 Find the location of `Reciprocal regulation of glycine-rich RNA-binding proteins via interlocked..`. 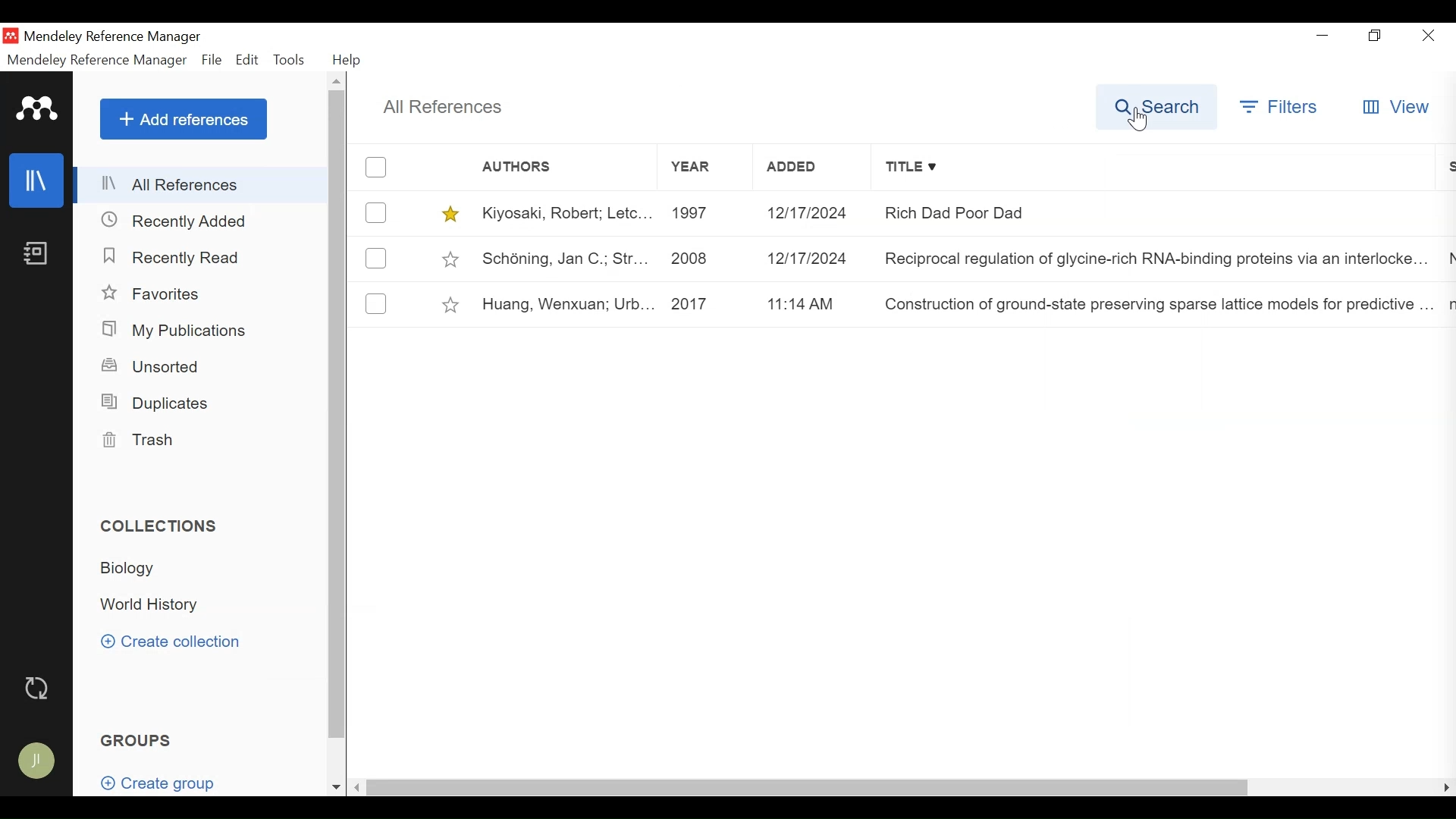

Reciprocal regulation of glycine-rich RNA-binding proteins via interlocked.. is located at coordinates (1156, 256).